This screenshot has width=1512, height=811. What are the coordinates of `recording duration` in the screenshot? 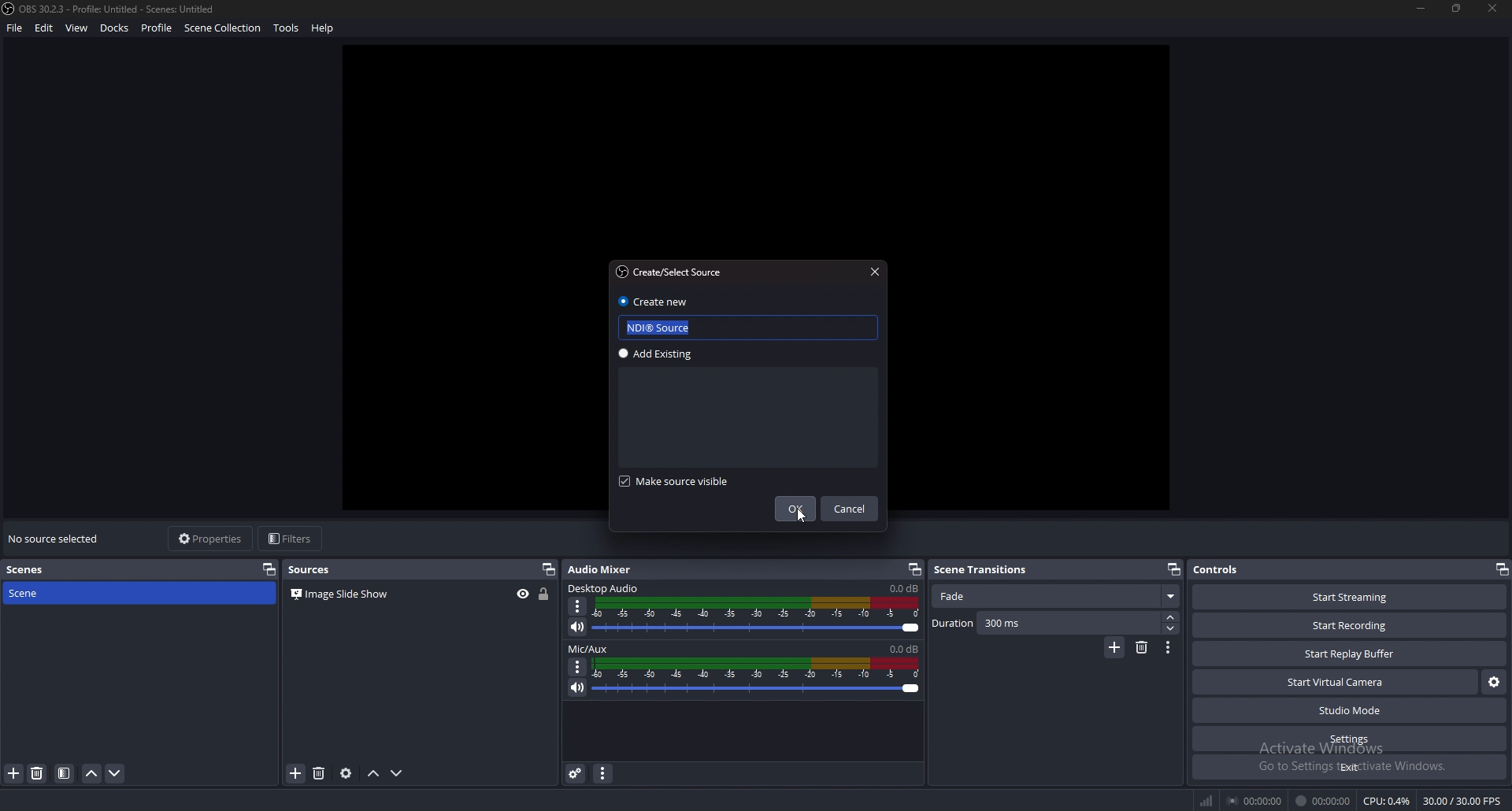 It's located at (1323, 801).